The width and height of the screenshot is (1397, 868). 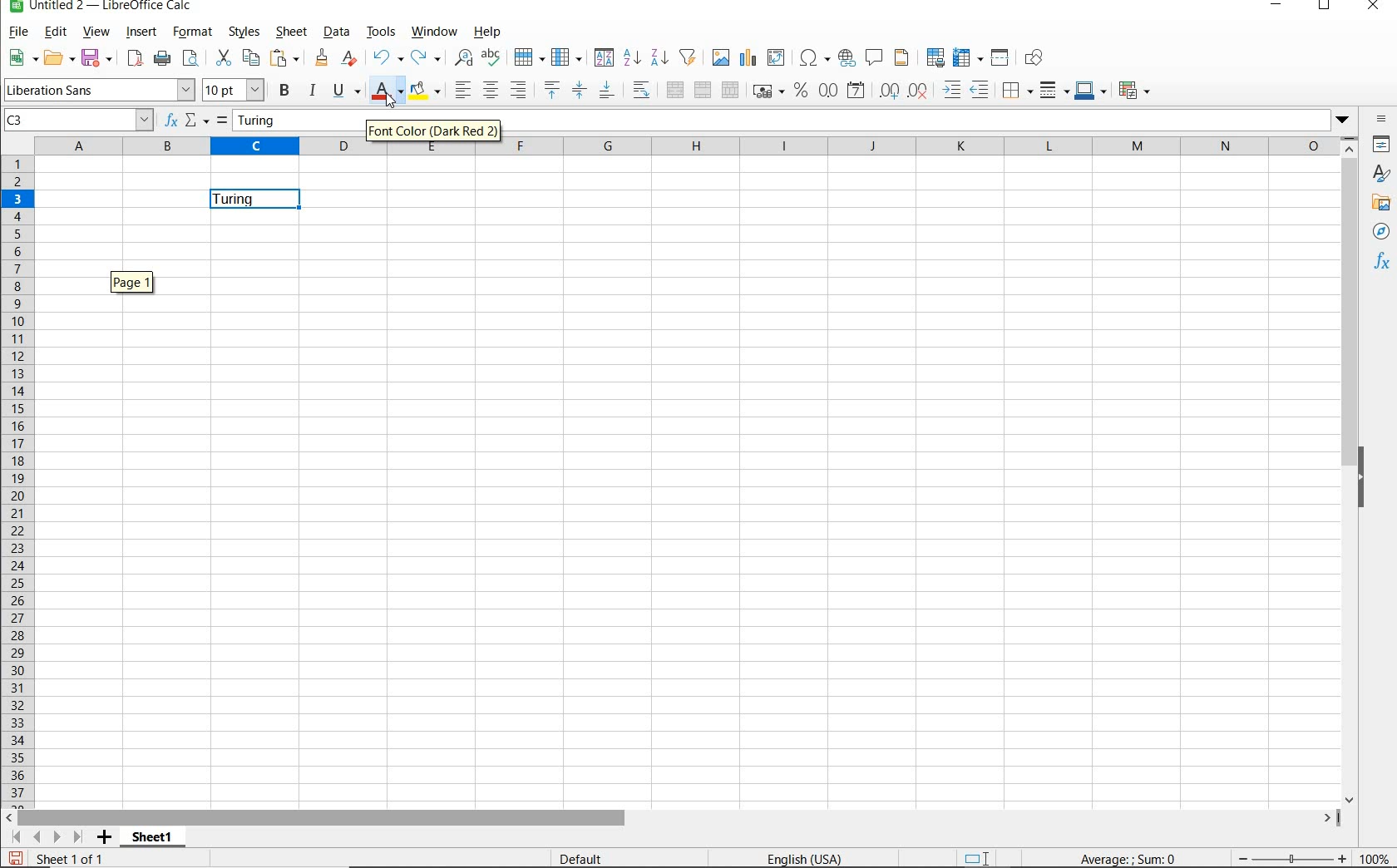 I want to click on FONT NAME, so click(x=99, y=89).